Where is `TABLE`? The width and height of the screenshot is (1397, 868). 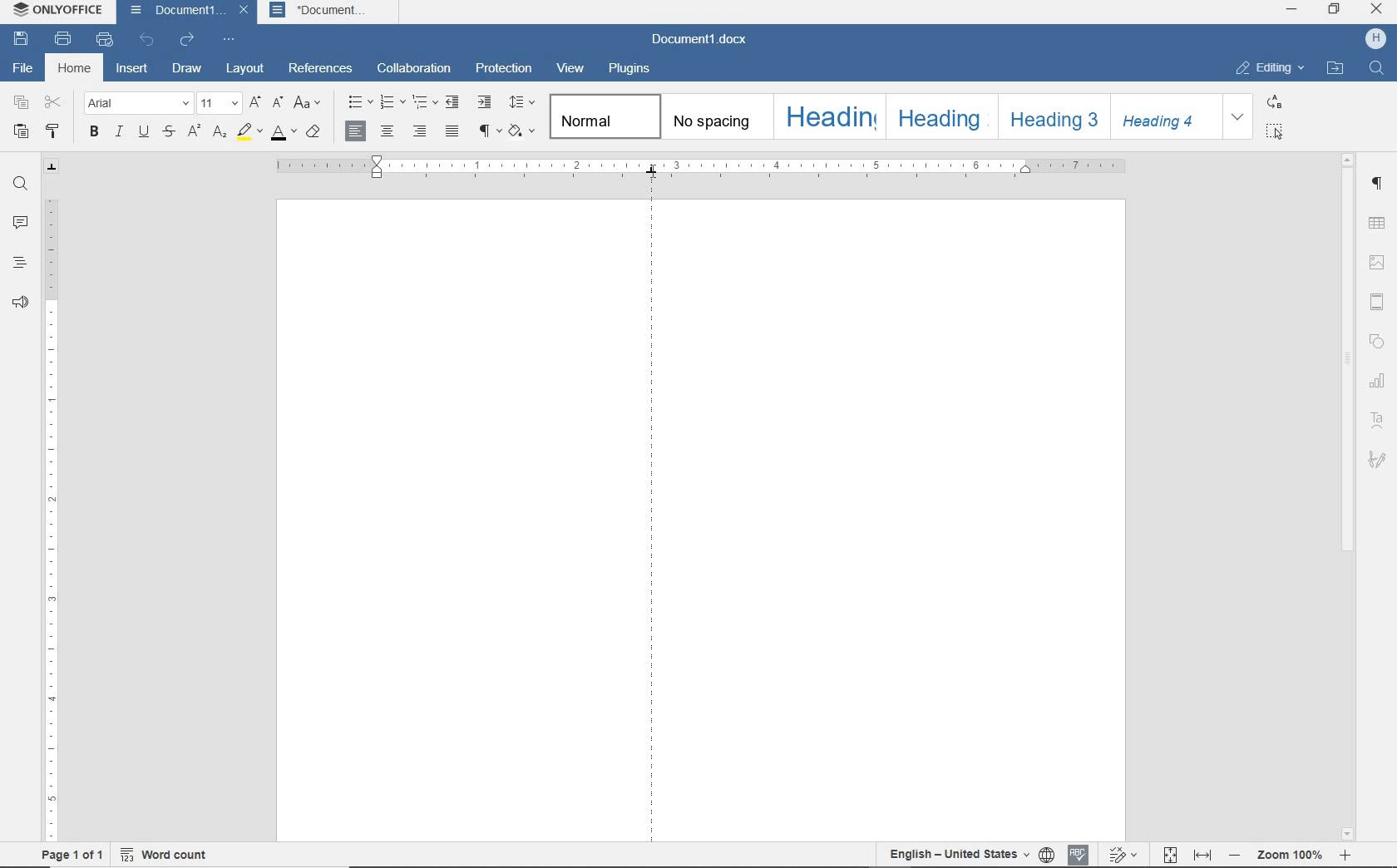
TABLE is located at coordinates (1376, 223).